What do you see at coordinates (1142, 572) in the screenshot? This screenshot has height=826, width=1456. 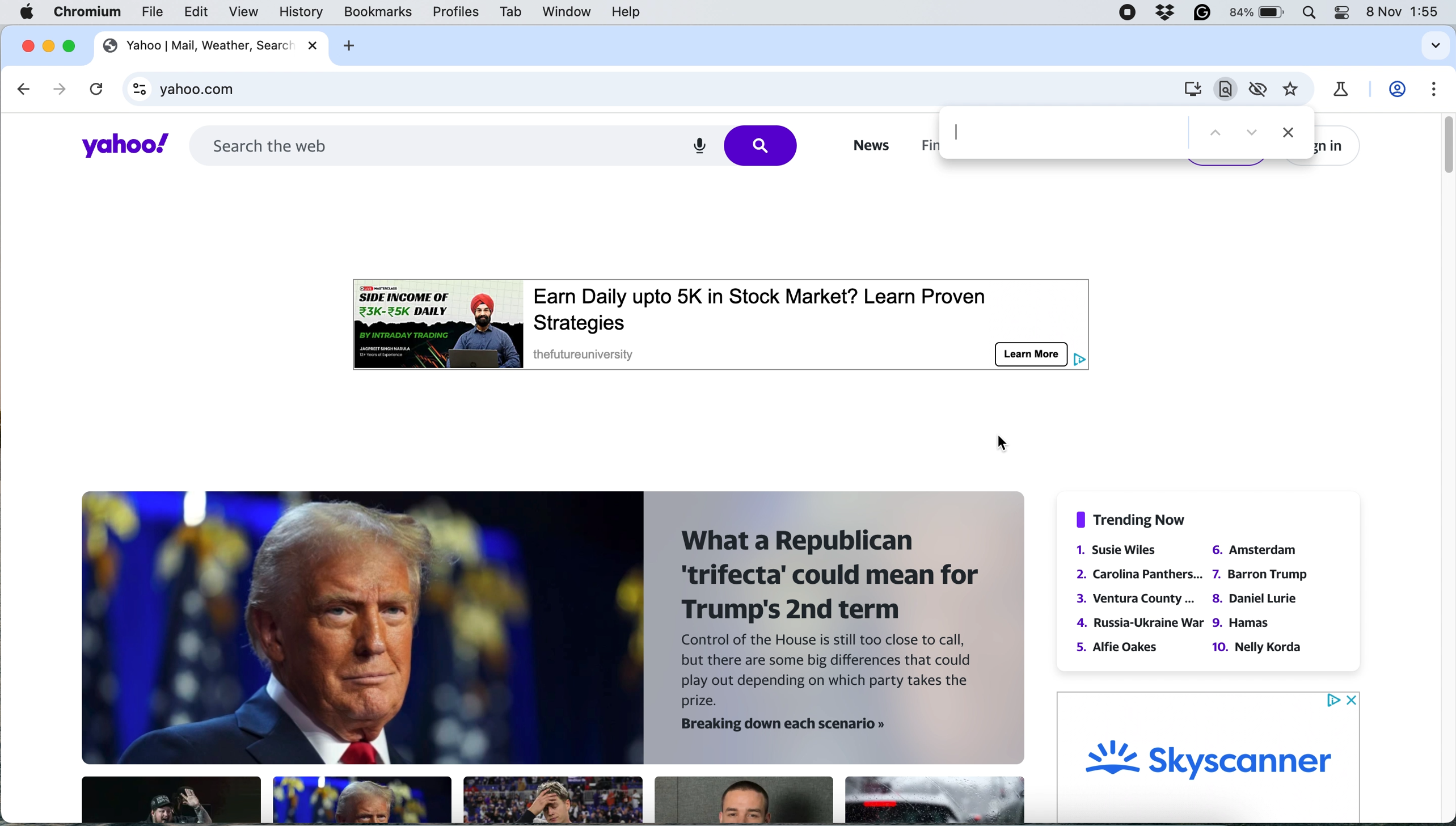 I see `Caroline` at bounding box center [1142, 572].